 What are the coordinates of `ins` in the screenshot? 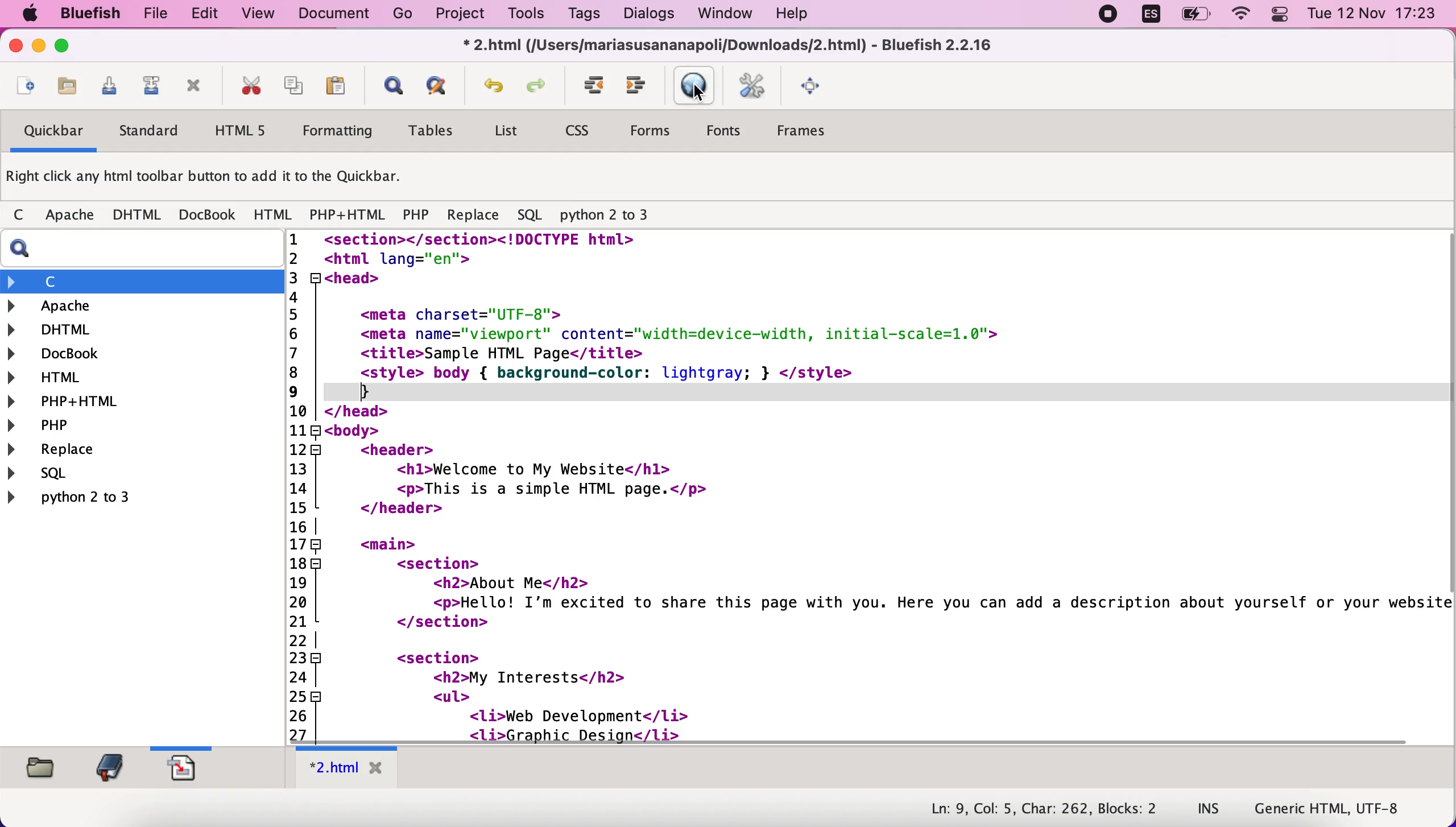 It's located at (1209, 811).